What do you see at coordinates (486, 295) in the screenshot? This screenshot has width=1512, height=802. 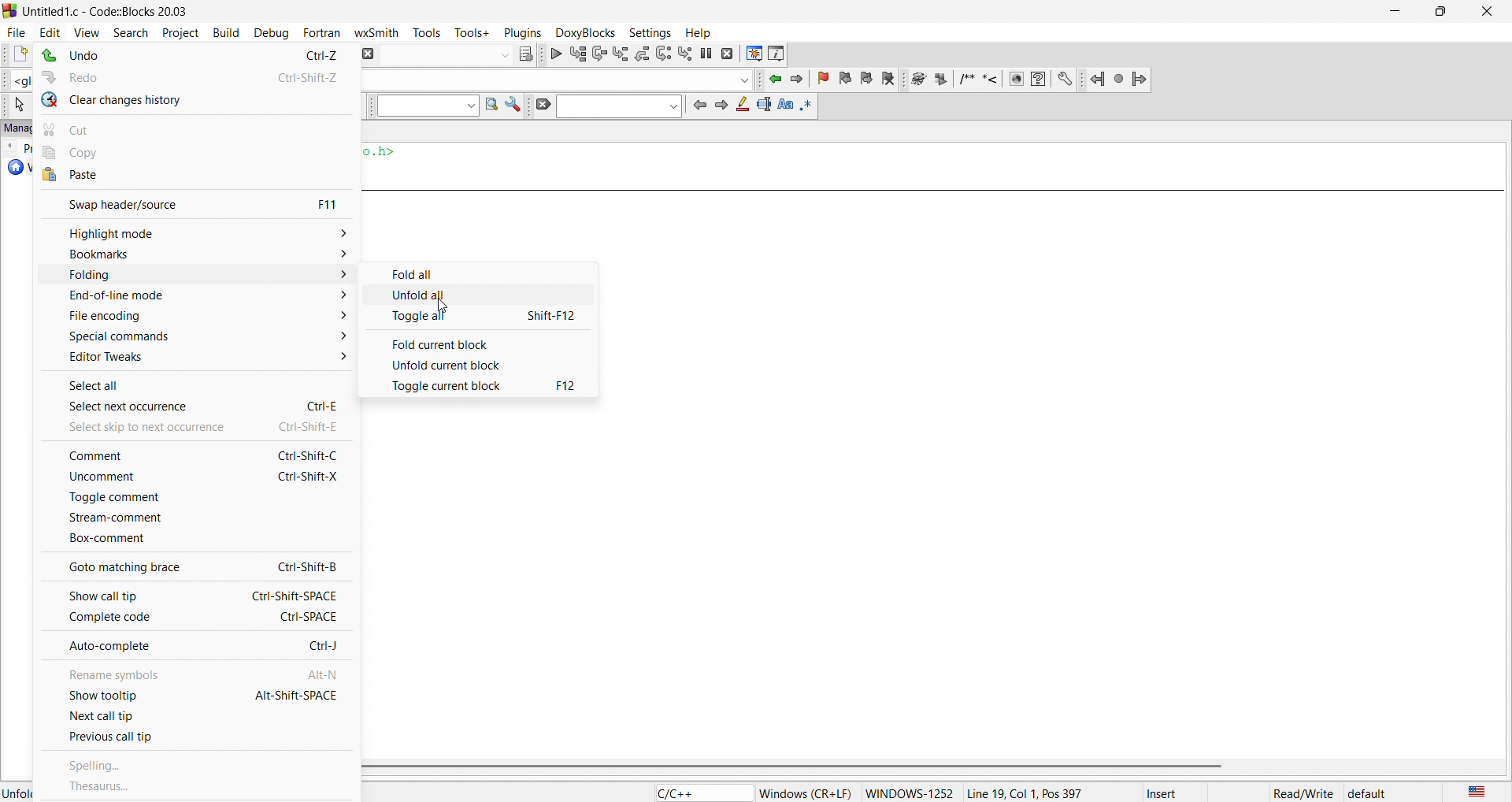 I see `unfold all` at bounding box center [486, 295].